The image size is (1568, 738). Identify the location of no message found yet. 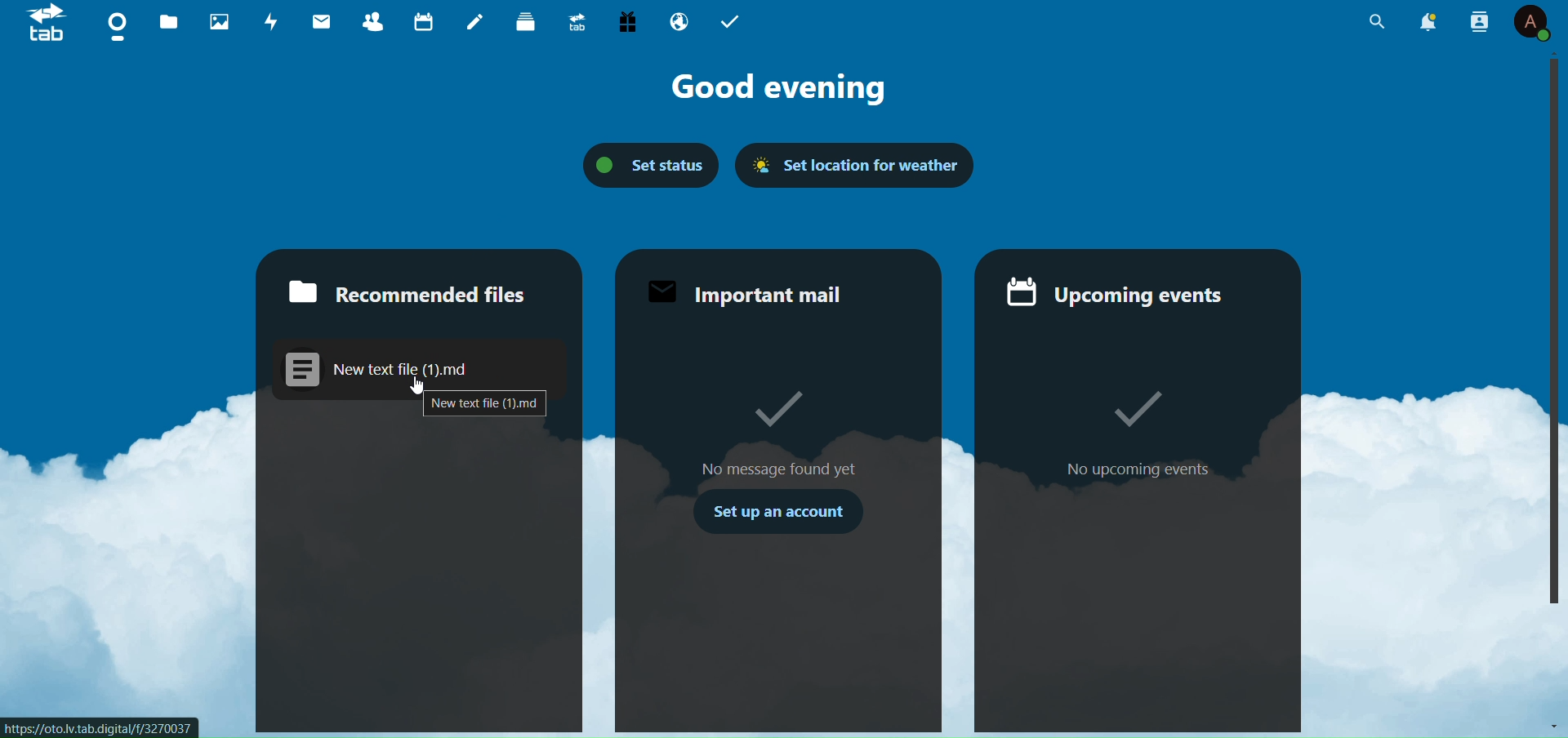
(781, 408).